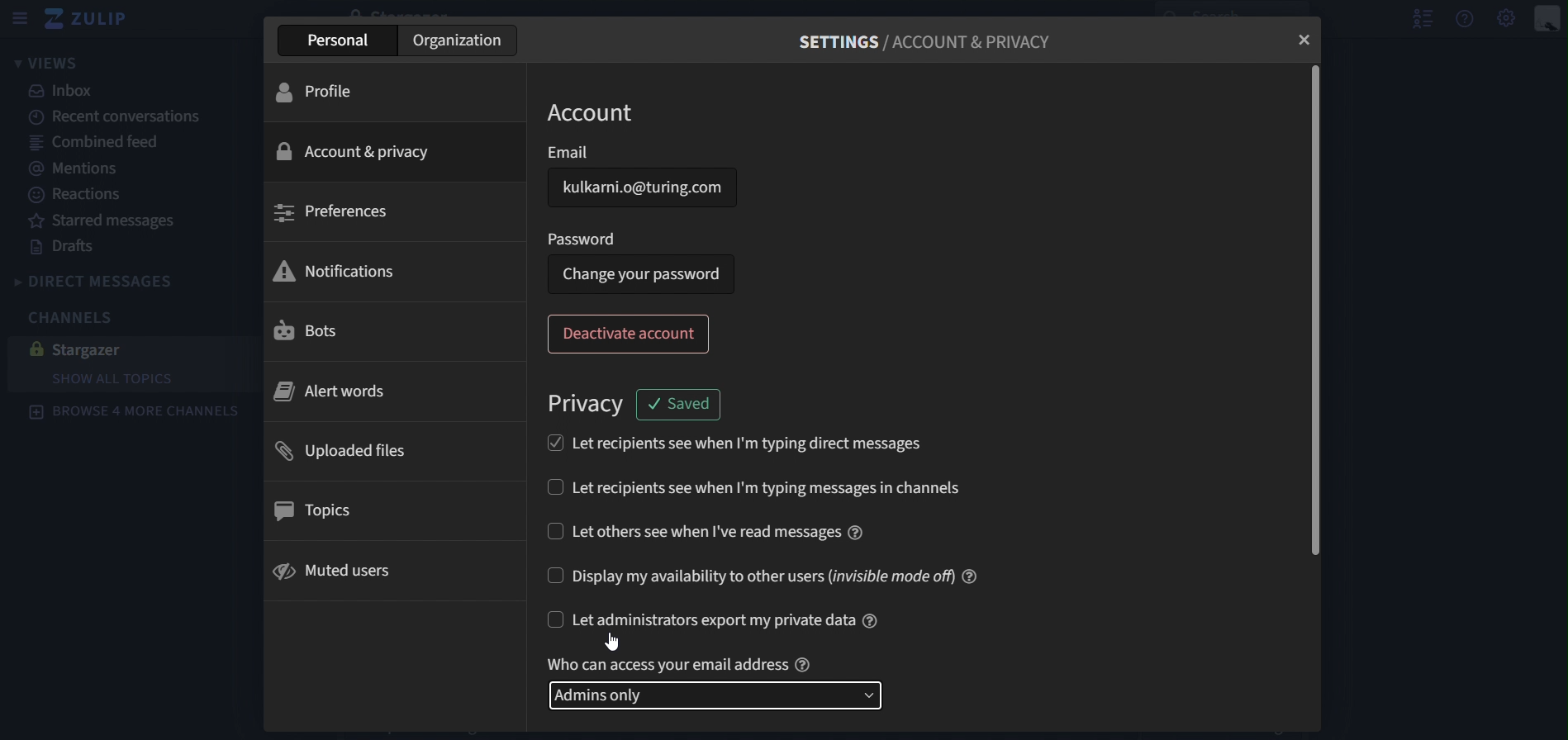 The image size is (1568, 740). Describe the element at coordinates (678, 664) in the screenshot. I see `who can access your email address` at that location.